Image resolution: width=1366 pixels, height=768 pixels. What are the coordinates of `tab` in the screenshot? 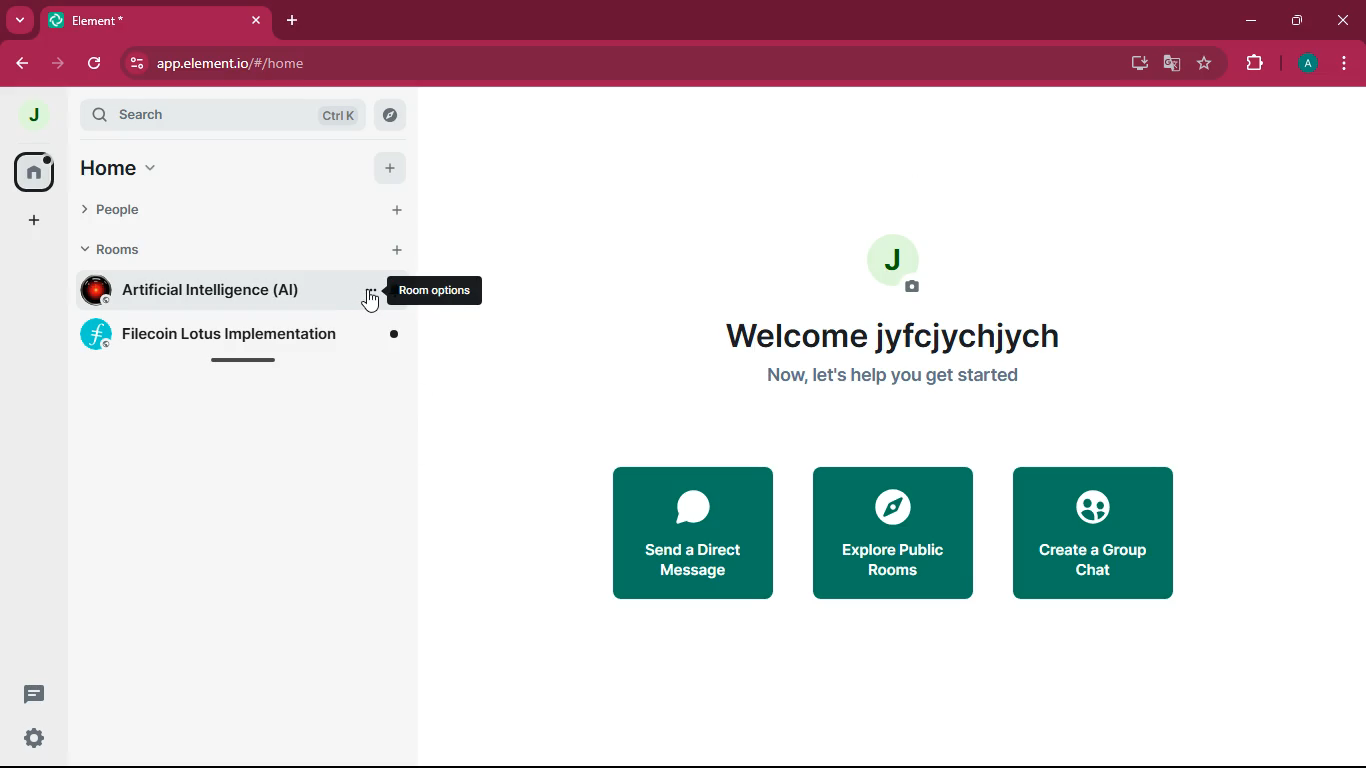 It's located at (161, 24).